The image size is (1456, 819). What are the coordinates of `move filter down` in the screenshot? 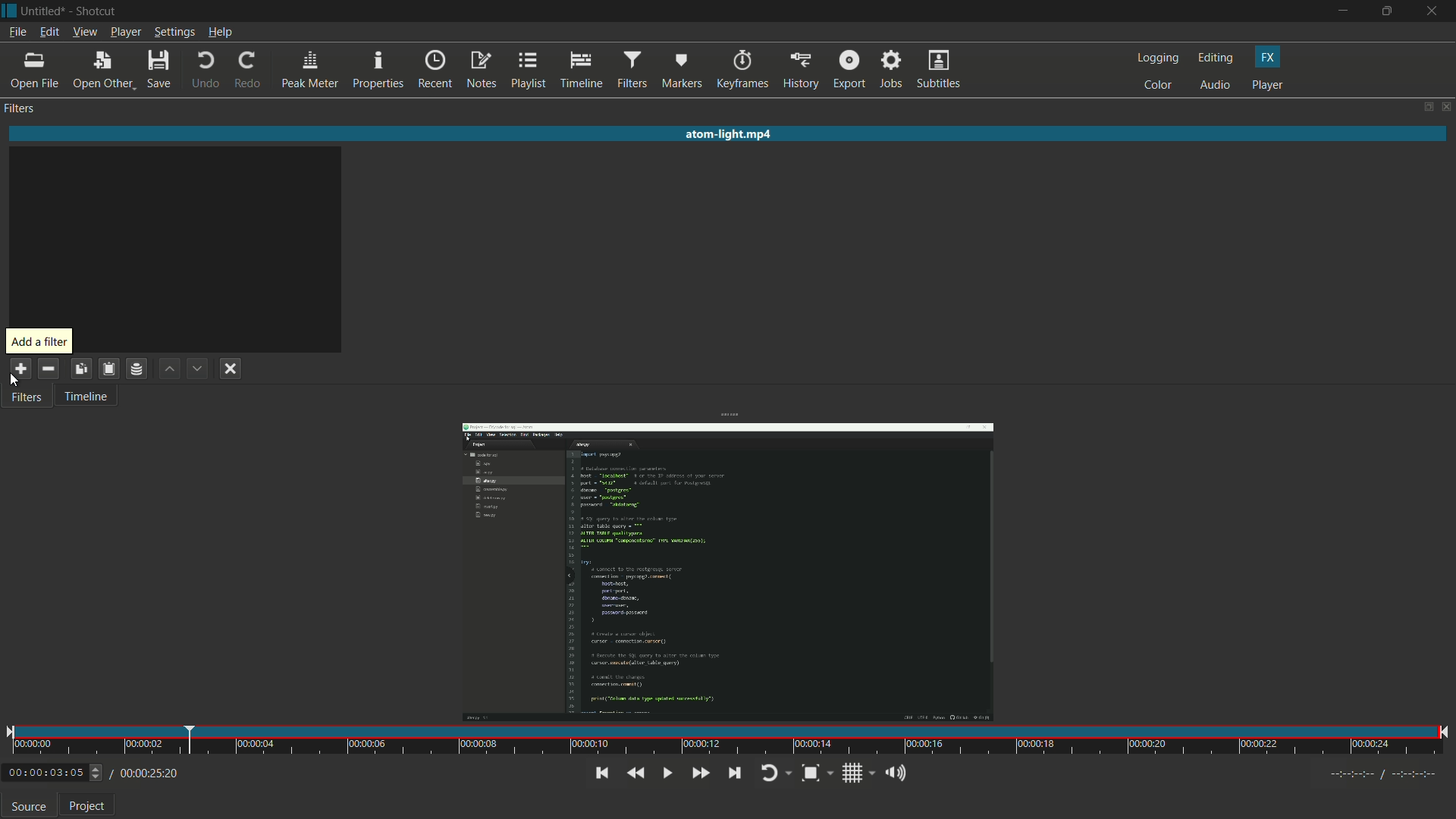 It's located at (198, 369).